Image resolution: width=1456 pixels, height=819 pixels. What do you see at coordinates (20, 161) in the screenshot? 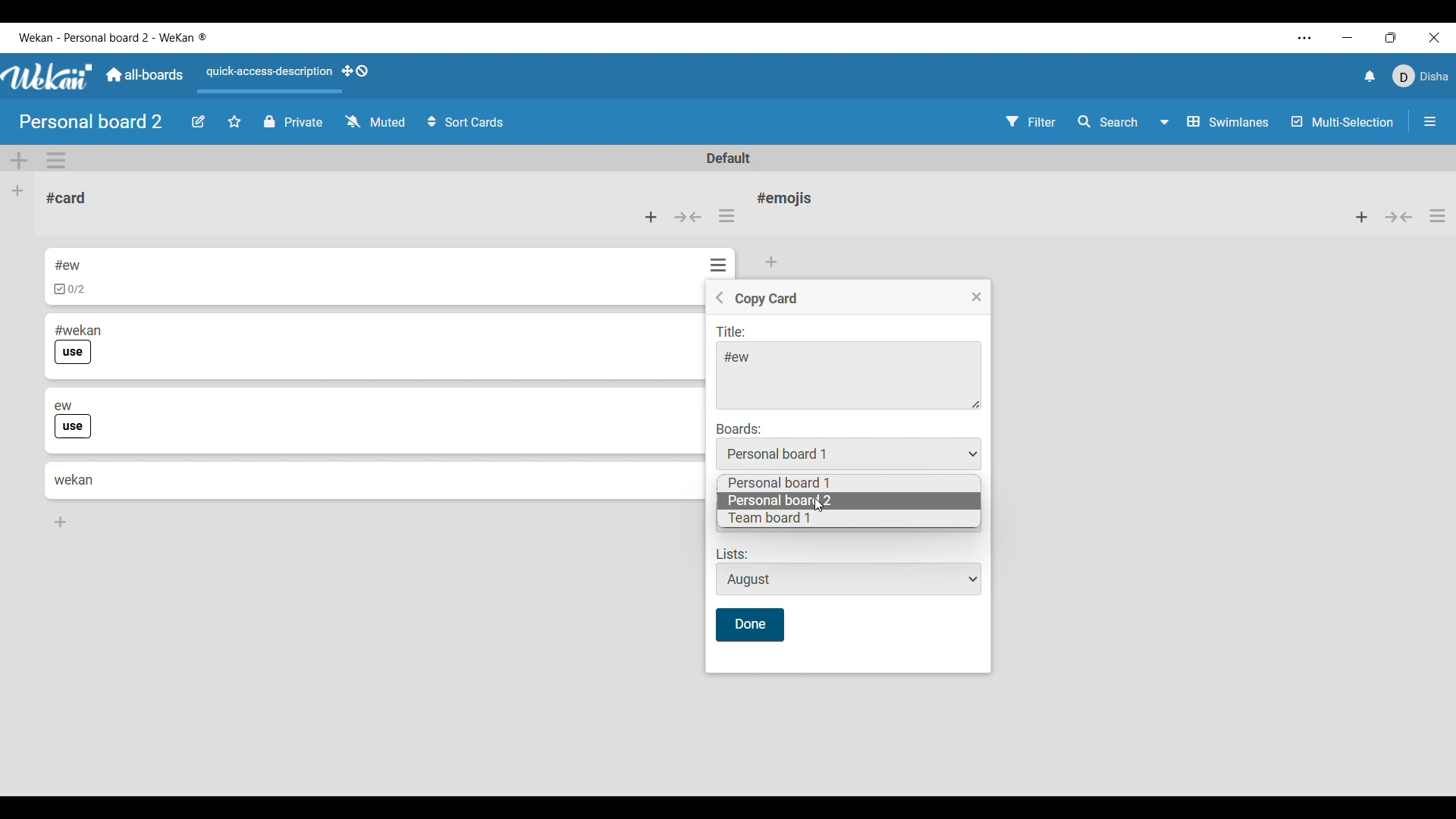
I see `Add swimlane` at bounding box center [20, 161].